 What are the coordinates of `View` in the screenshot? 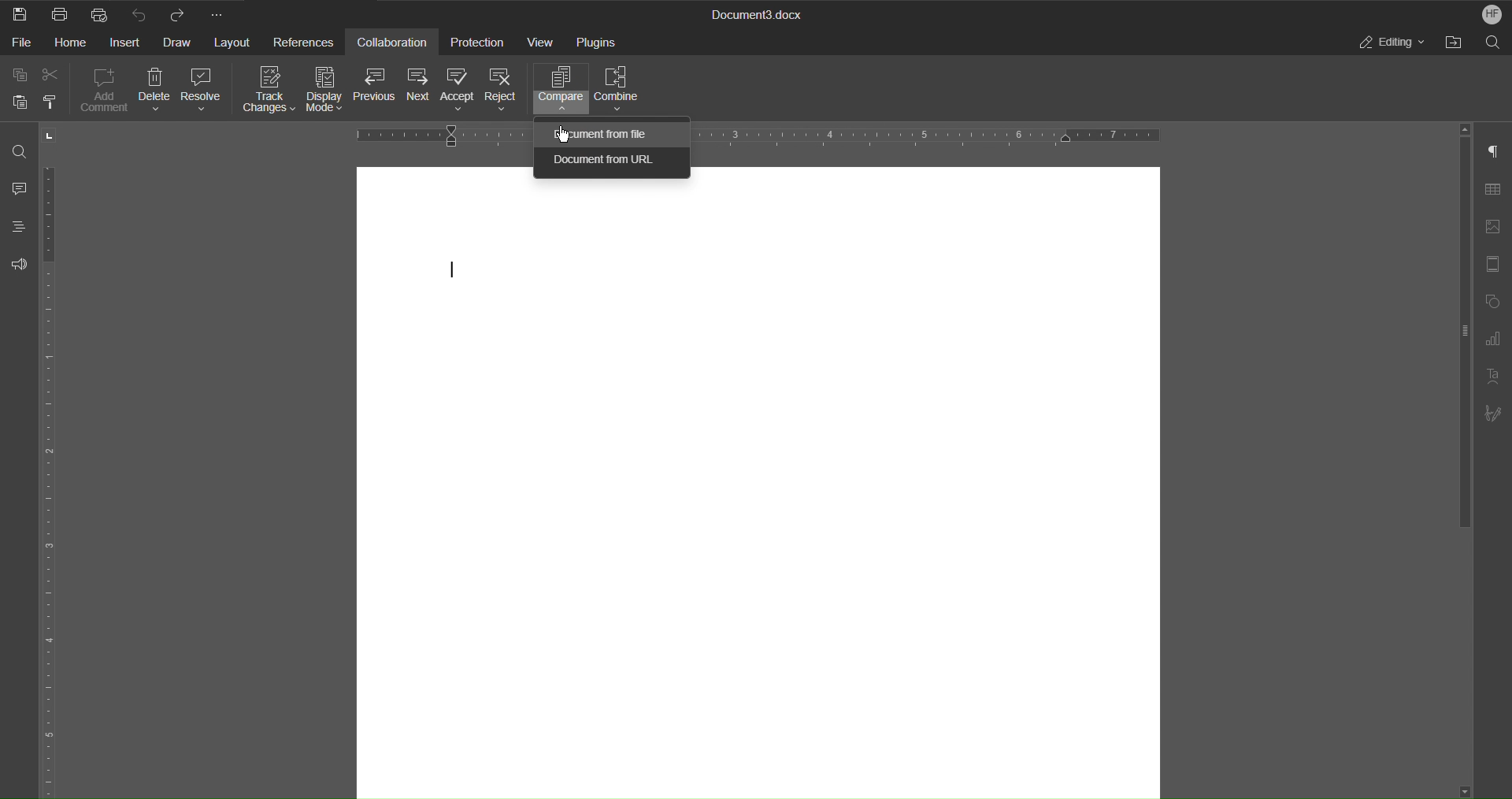 It's located at (543, 40).